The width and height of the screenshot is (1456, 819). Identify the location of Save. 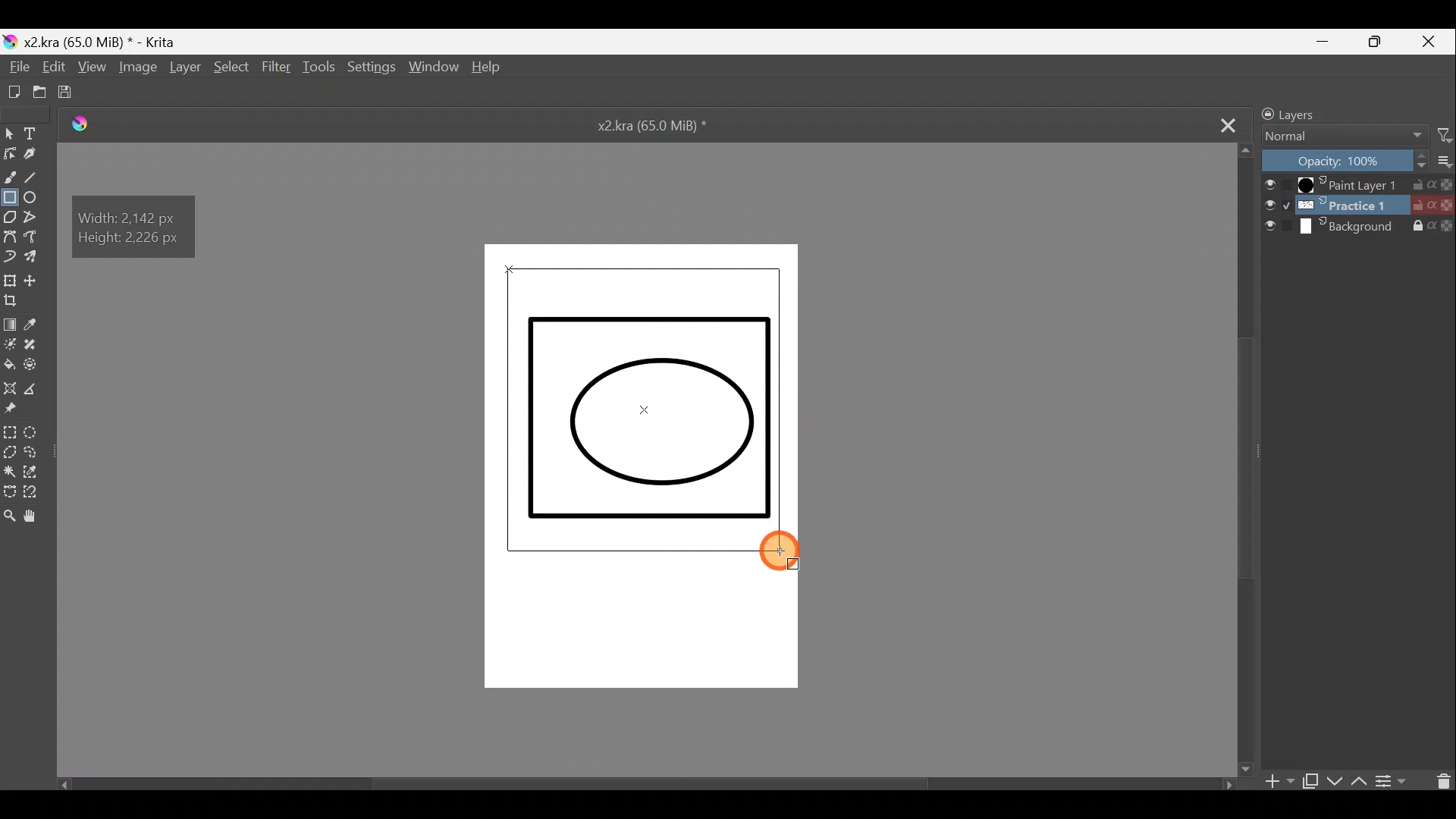
(71, 93).